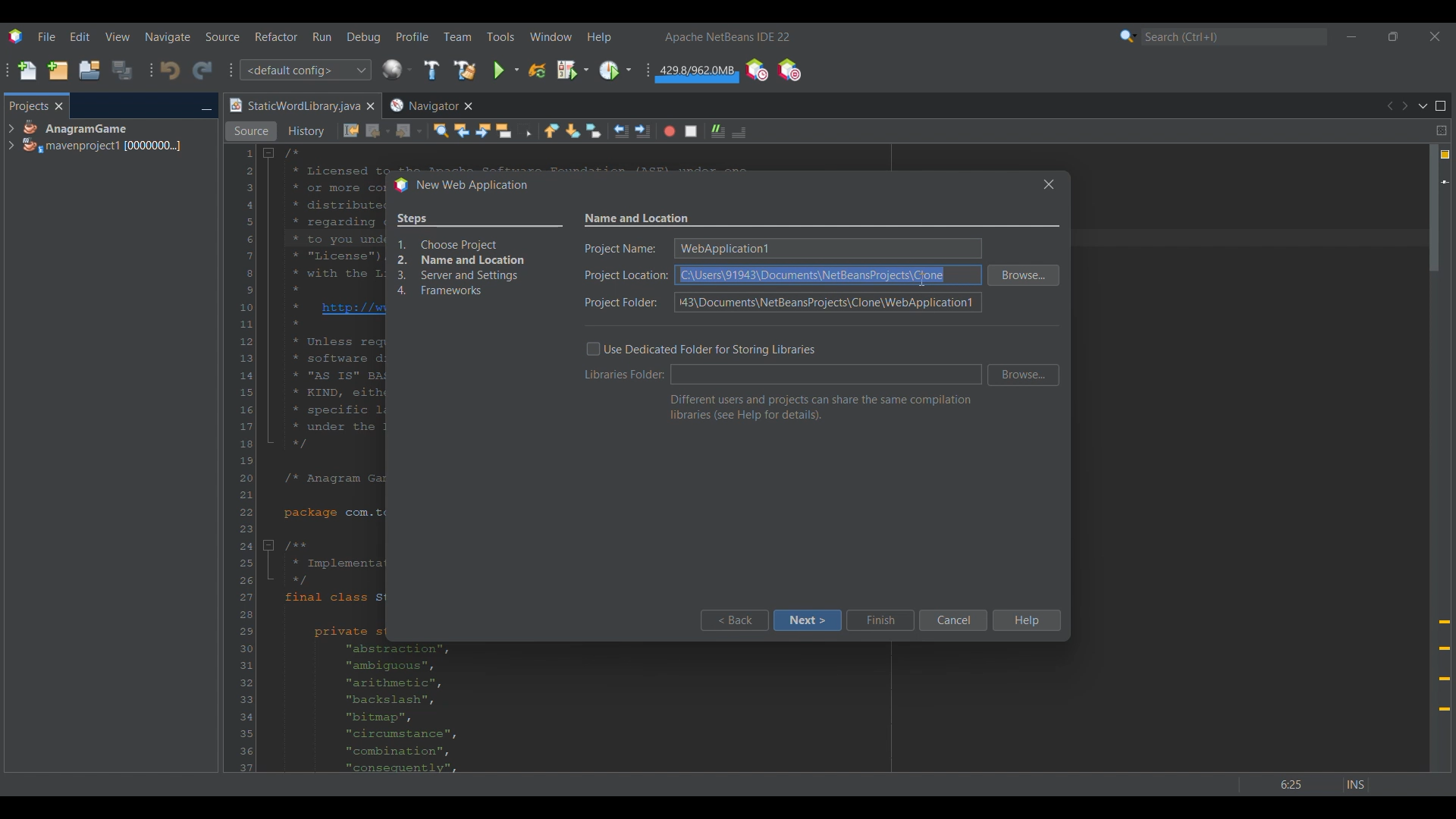  Describe the element at coordinates (827, 375) in the screenshot. I see `Text box` at that location.